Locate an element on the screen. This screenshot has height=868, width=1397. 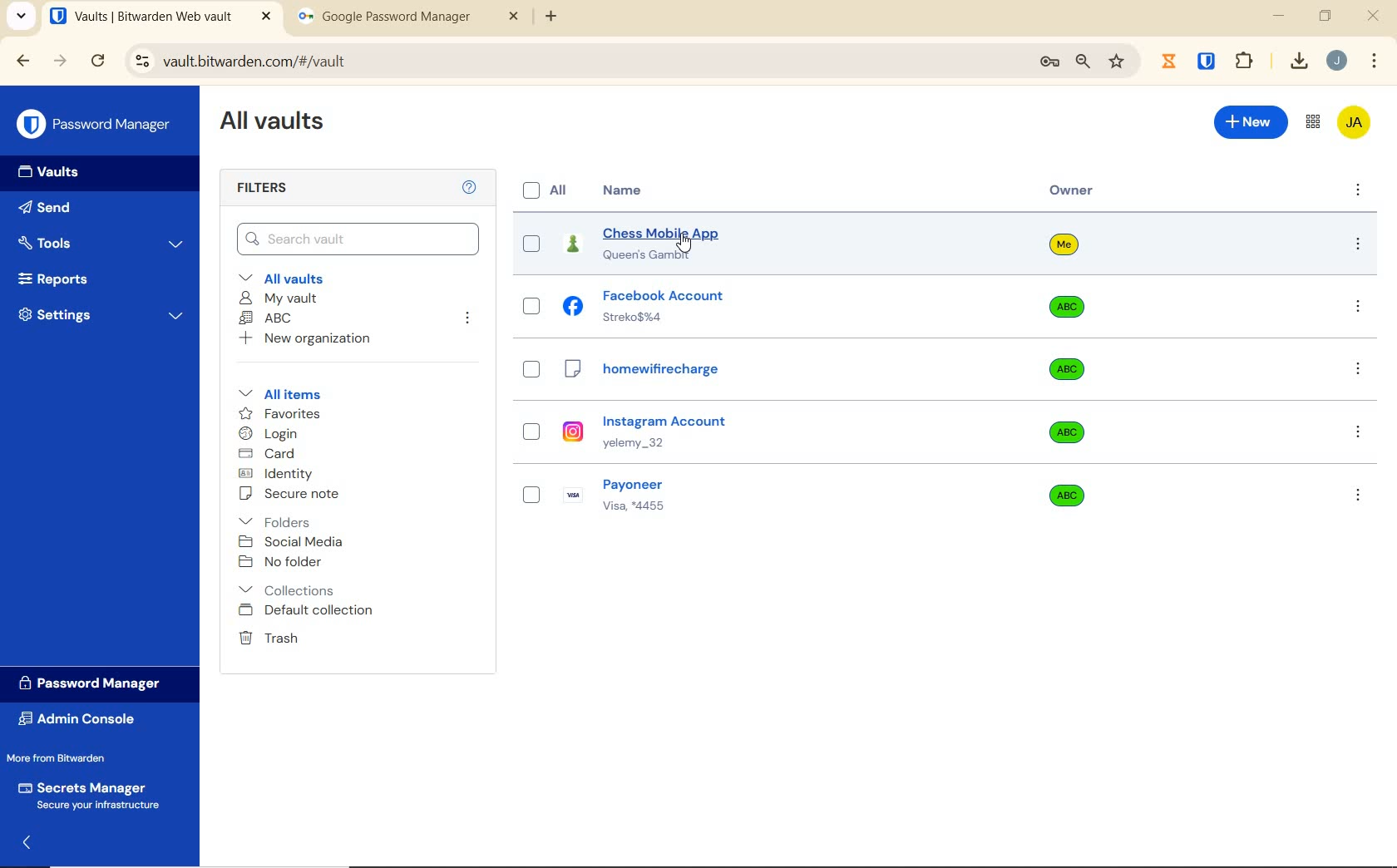
abc is located at coordinates (1066, 433).